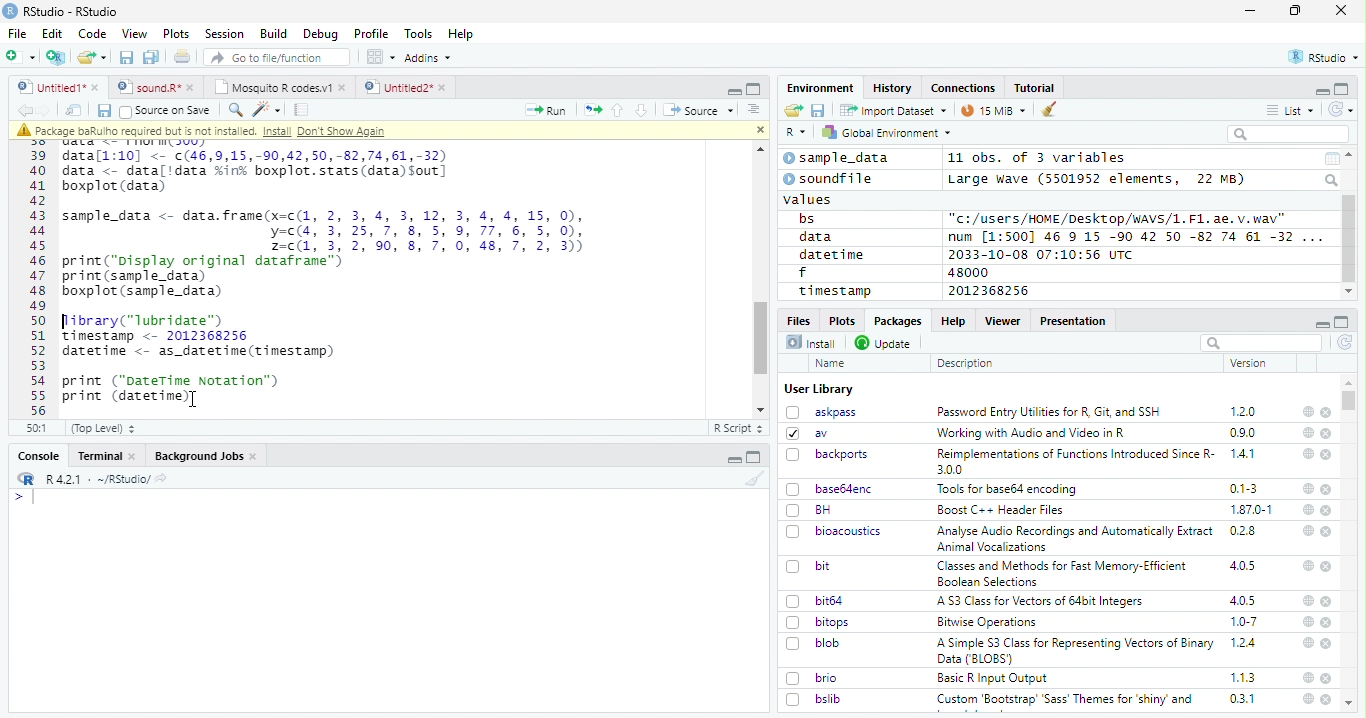 The width and height of the screenshot is (1366, 718). What do you see at coordinates (962, 88) in the screenshot?
I see `Connections` at bounding box center [962, 88].